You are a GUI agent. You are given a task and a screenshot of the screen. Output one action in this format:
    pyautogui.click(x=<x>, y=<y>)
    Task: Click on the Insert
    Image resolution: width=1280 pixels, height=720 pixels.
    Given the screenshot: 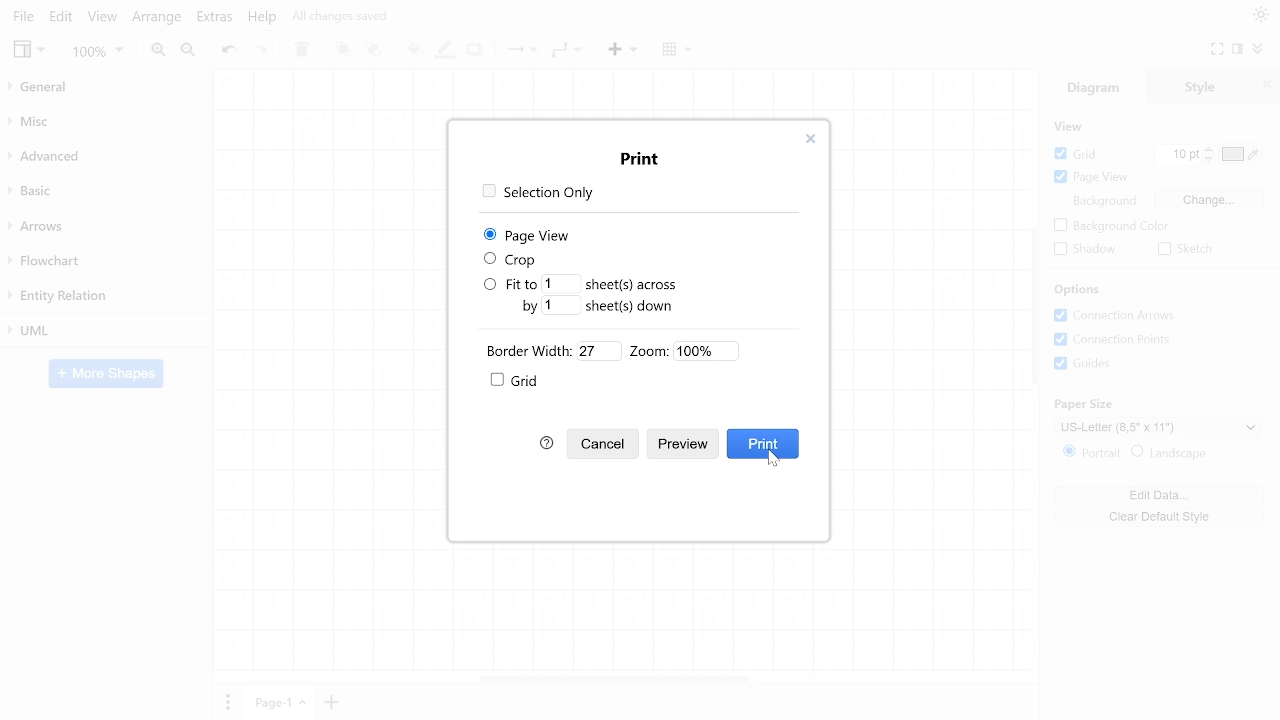 What is the action you would take?
    pyautogui.click(x=626, y=51)
    